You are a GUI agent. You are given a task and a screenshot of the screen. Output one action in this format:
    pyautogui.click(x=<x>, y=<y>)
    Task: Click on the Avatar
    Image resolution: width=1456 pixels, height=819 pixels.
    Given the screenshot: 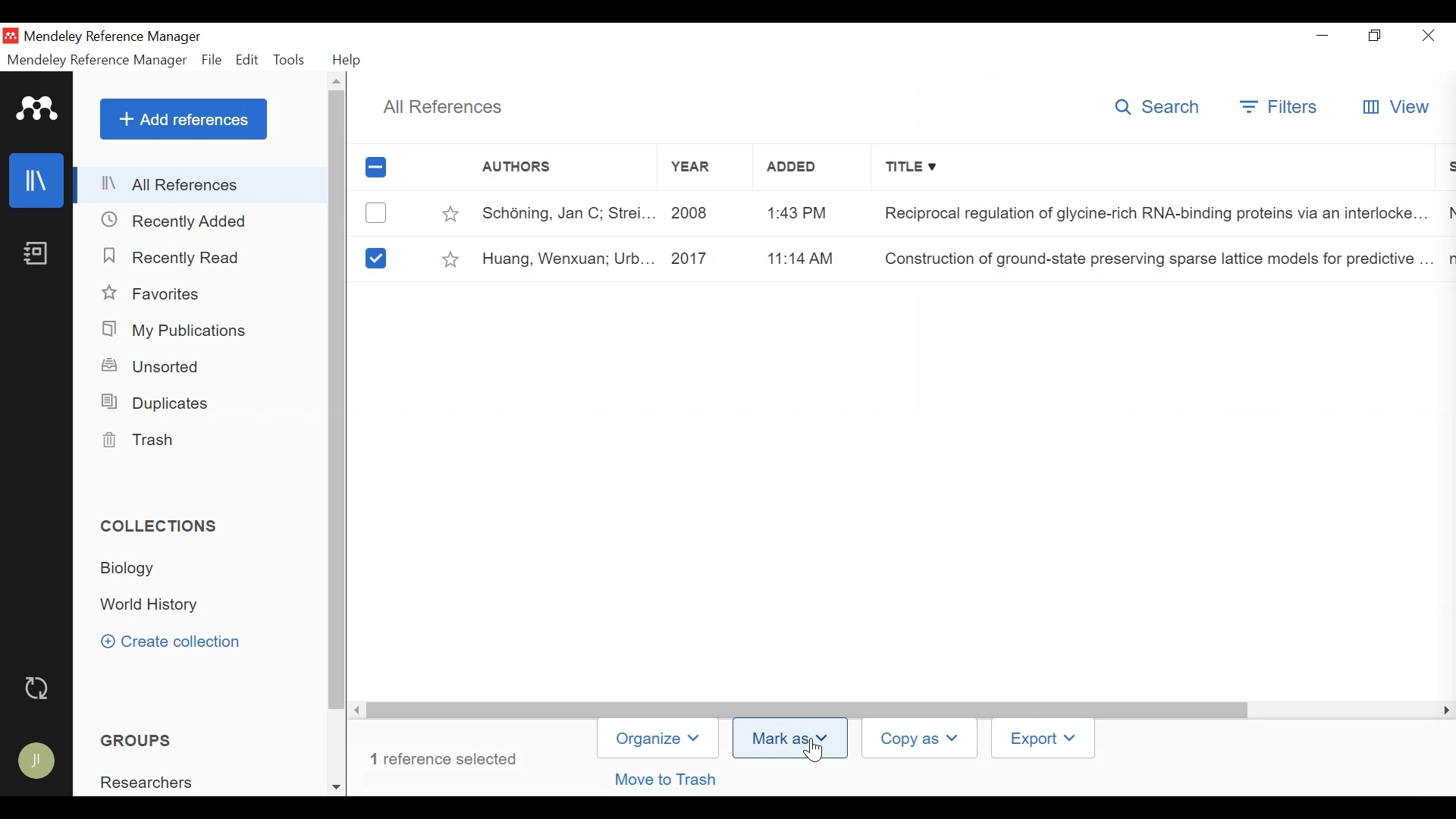 What is the action you would take?
    pyautogui.click(x=34, y=759)
    